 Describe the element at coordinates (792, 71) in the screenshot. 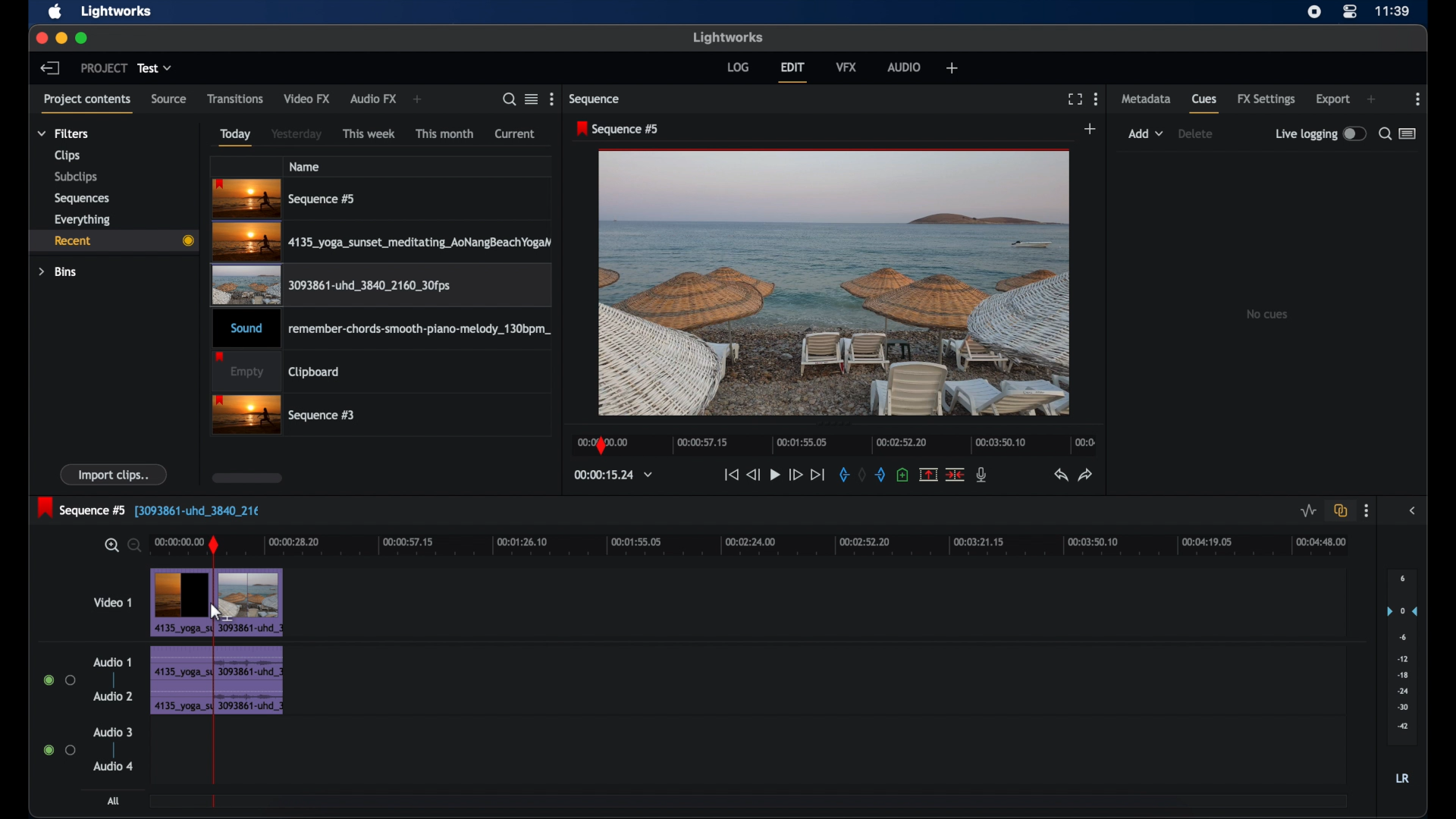

I see `edit` at that location.